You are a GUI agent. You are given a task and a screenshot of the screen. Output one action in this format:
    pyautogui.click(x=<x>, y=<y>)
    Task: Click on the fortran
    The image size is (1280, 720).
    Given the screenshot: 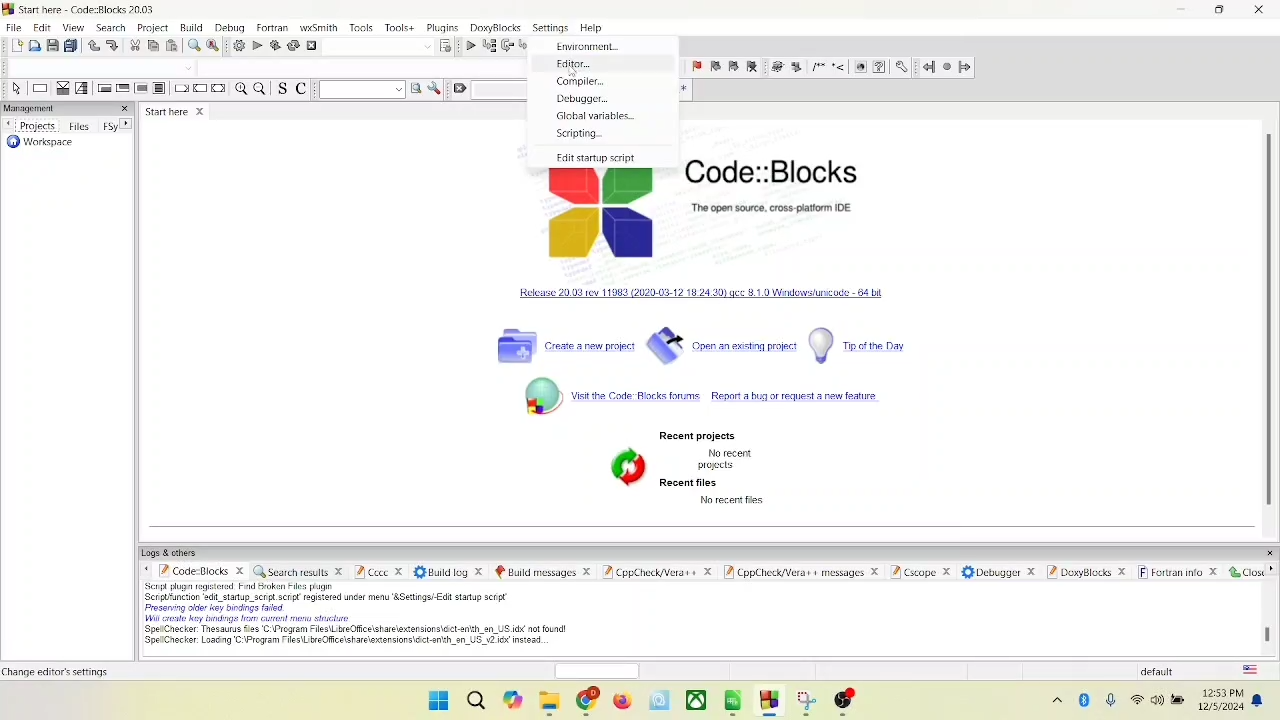 What is the action you would take?
    pyautogui.click(x=271, y=28)
    